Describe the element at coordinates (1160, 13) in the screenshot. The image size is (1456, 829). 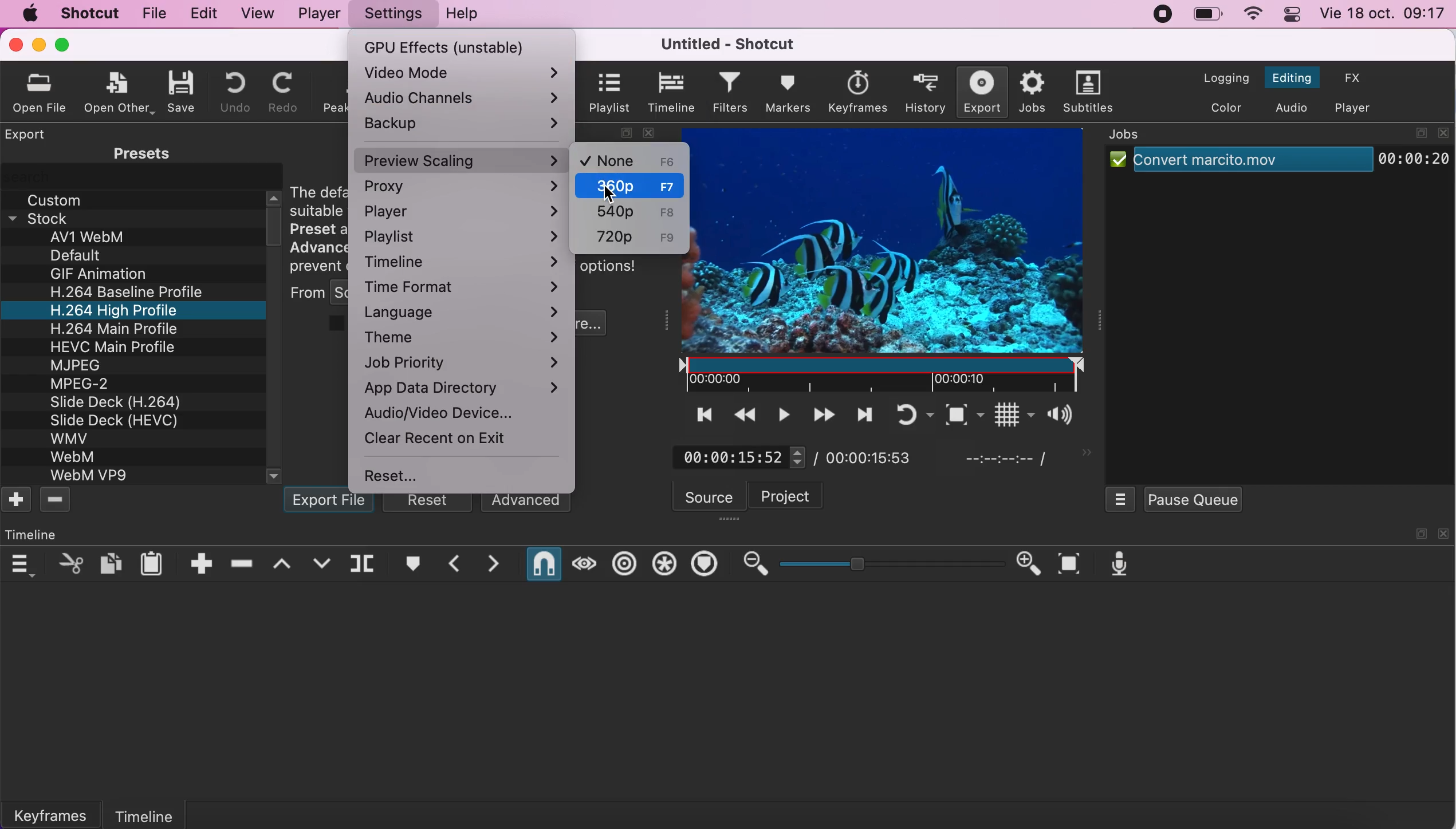
I see `recording stopped` at that location.